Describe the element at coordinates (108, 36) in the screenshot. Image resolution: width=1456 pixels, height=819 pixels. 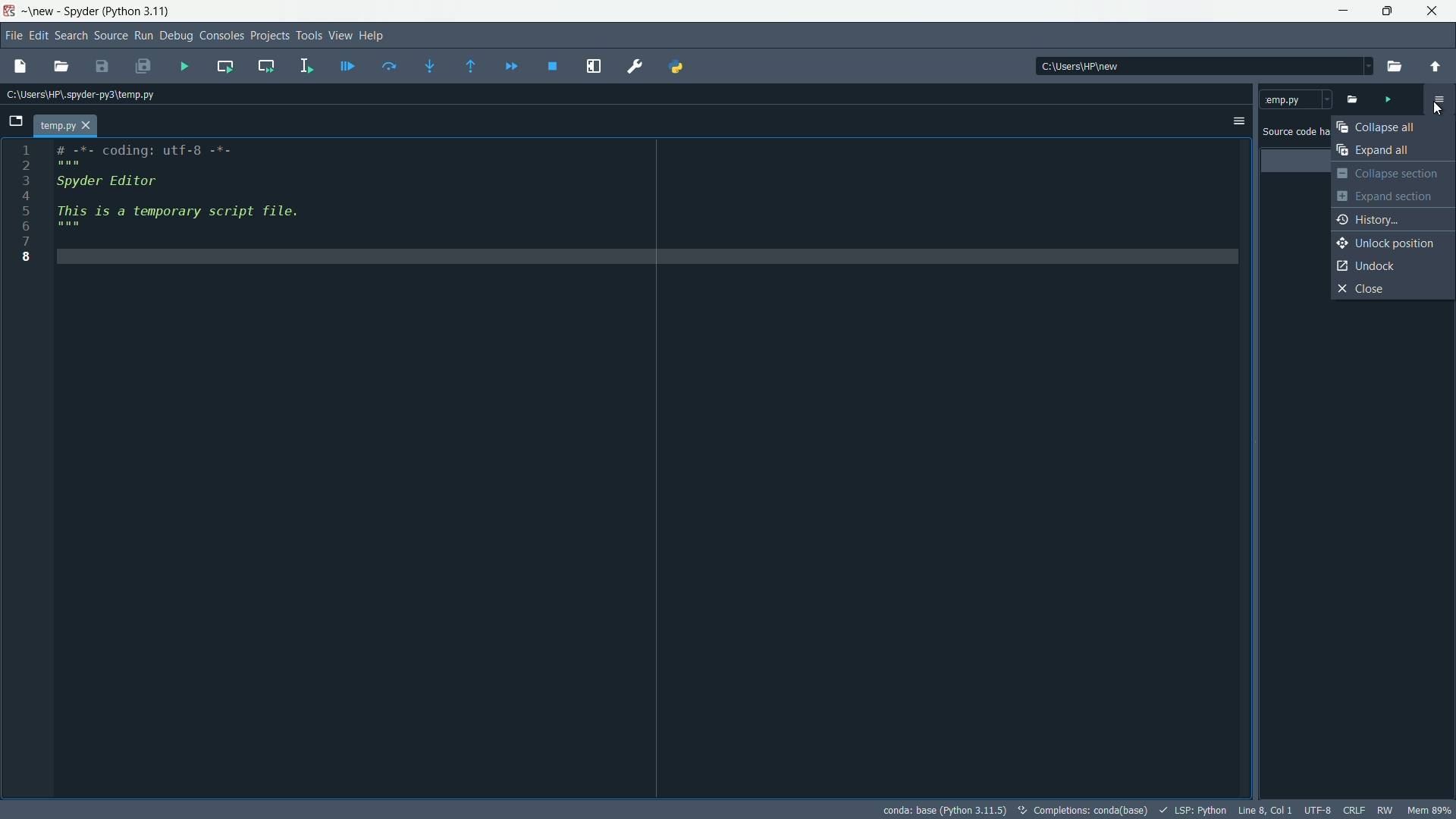
I see `source menu` at that location.